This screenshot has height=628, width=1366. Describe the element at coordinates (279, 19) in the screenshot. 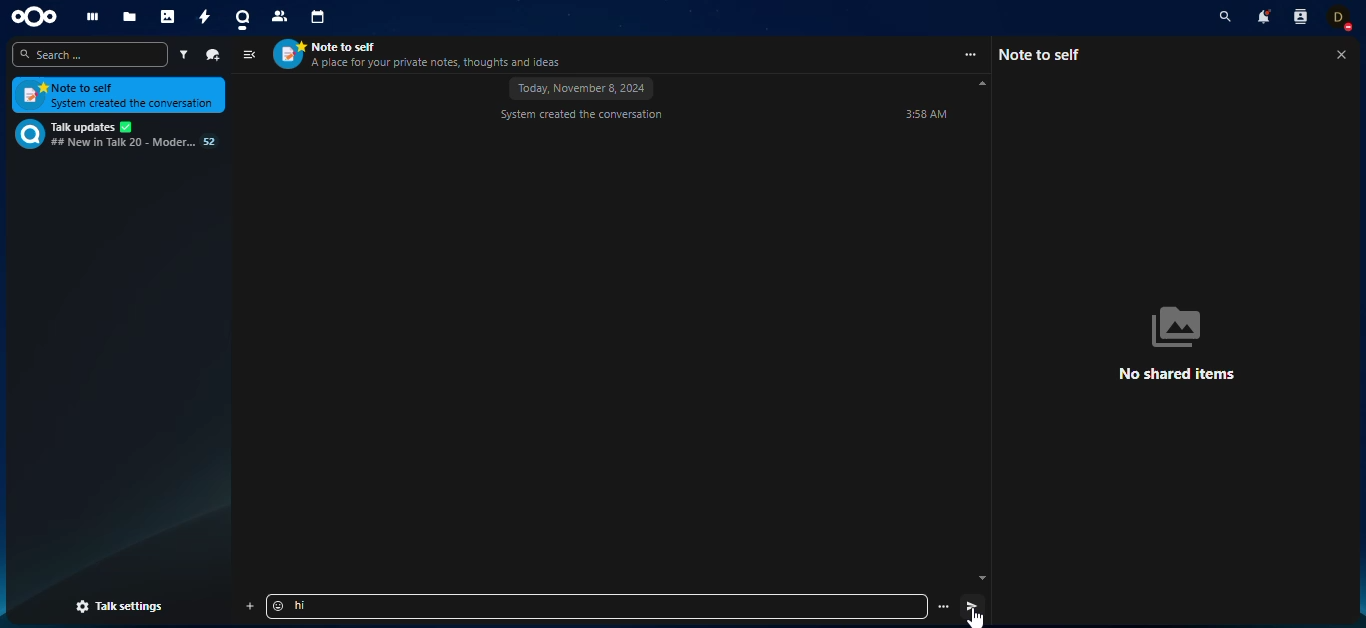

I see `contact` at that location.